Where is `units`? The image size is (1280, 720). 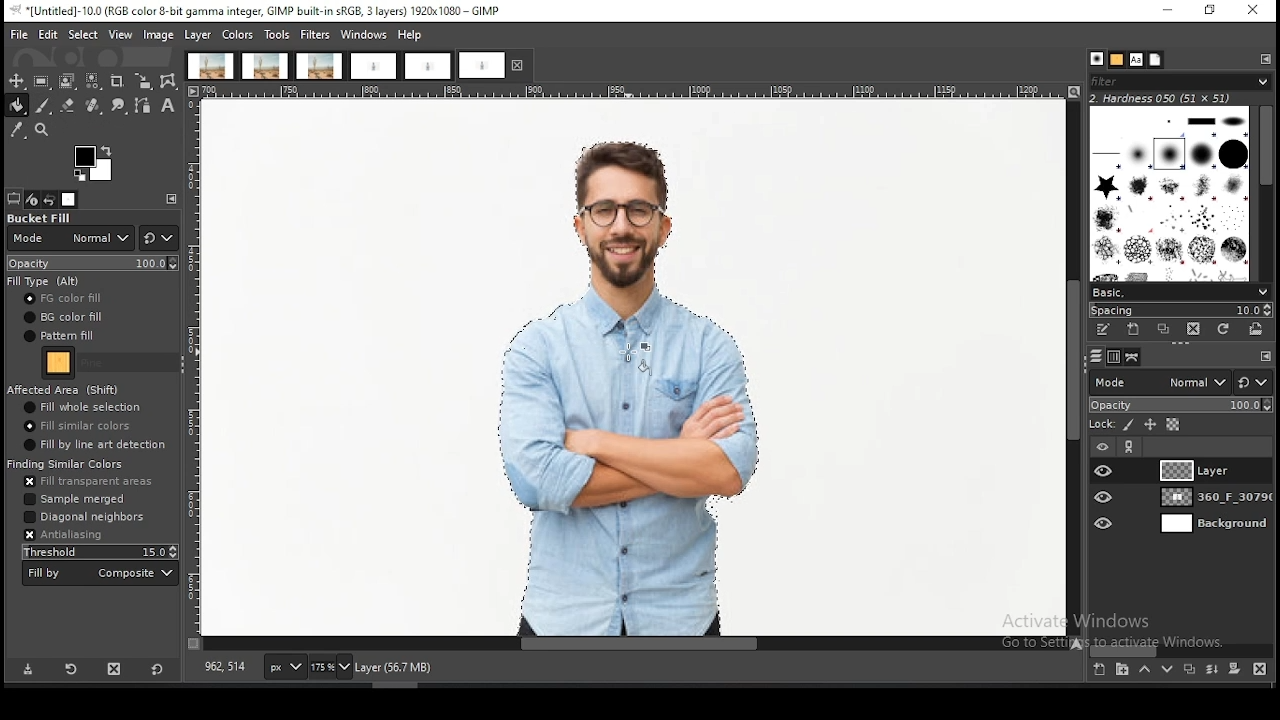
units is located at coordinates (284, 667).